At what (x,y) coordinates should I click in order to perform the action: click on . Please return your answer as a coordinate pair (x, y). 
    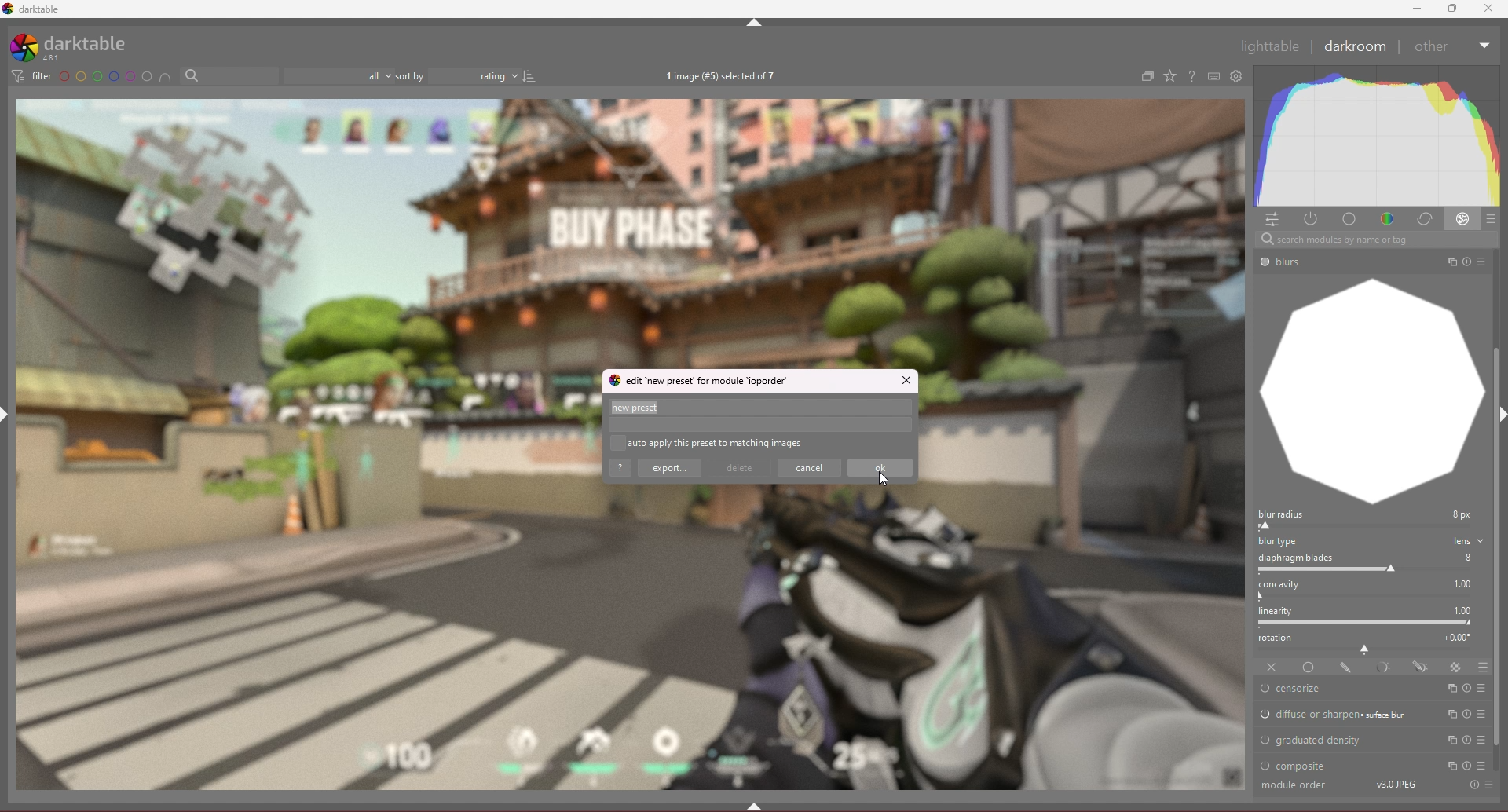
    Looking at the image, I should click on (1375, 240).